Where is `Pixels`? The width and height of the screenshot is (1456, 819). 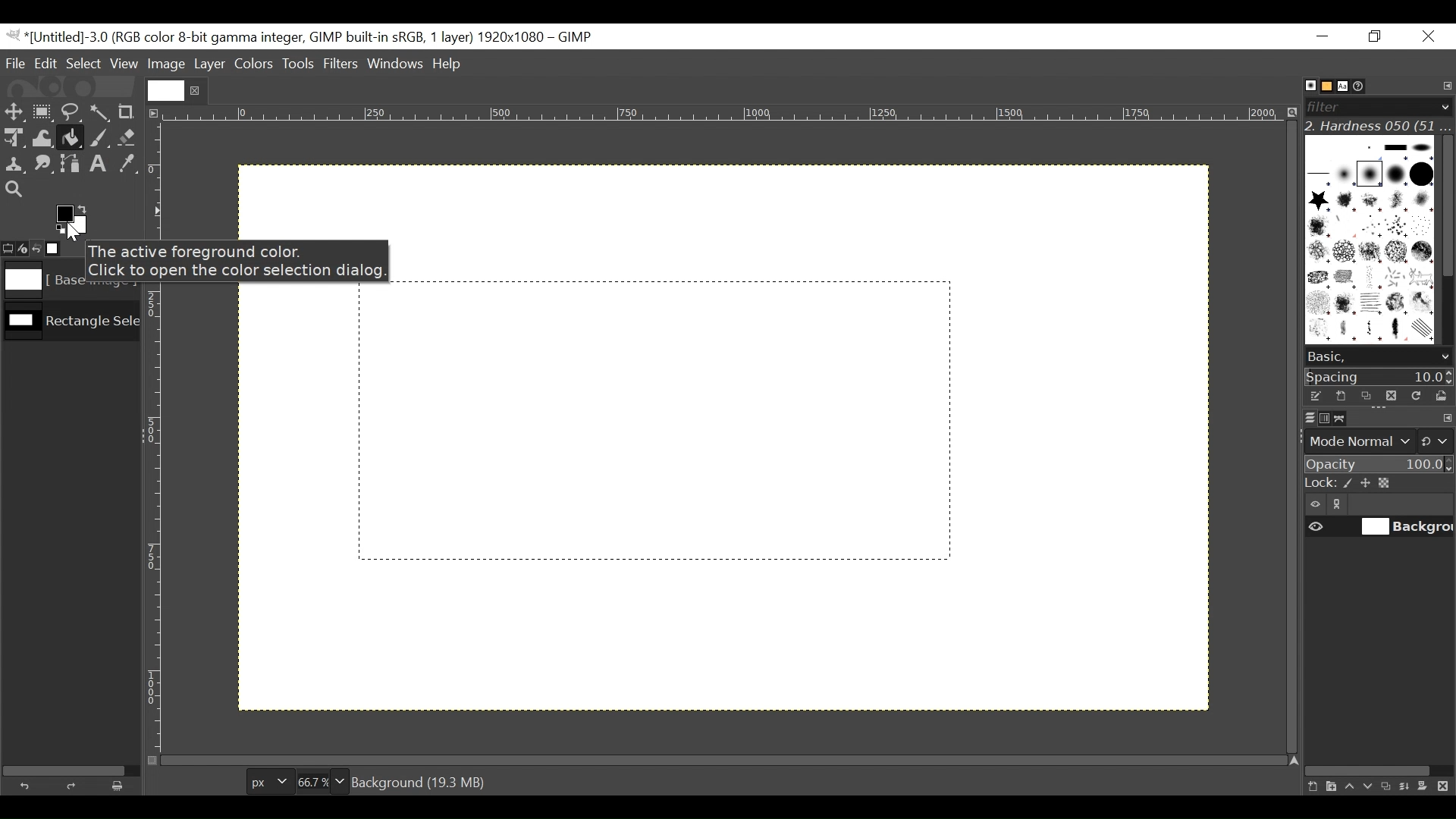
Pixels is located at coordinates (266, 779).